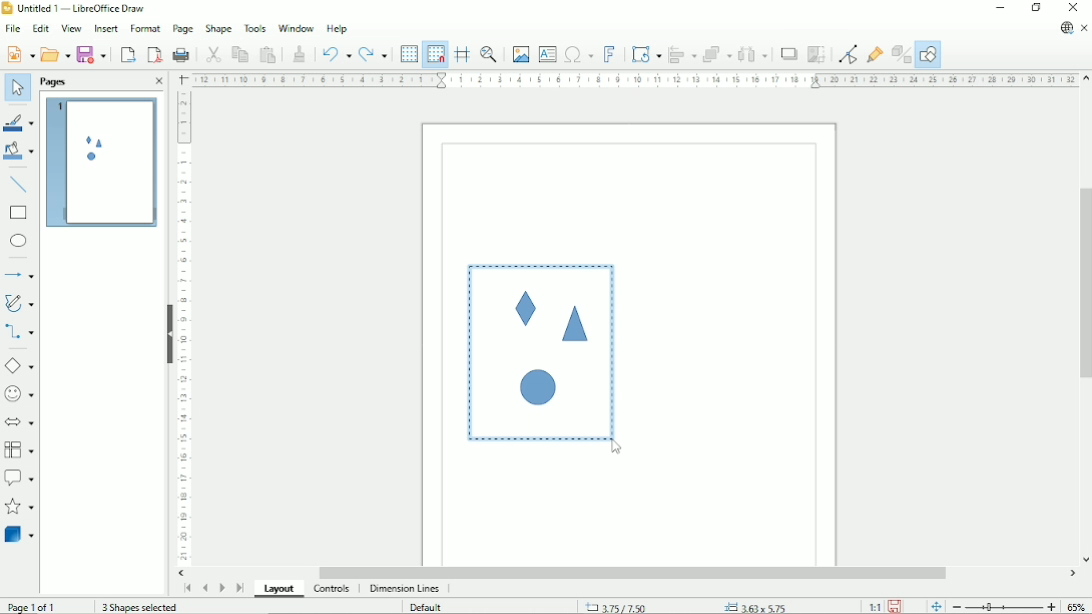 This screenshot has height=614, width=1092. I want to click on Transformations, so click(646, 55).